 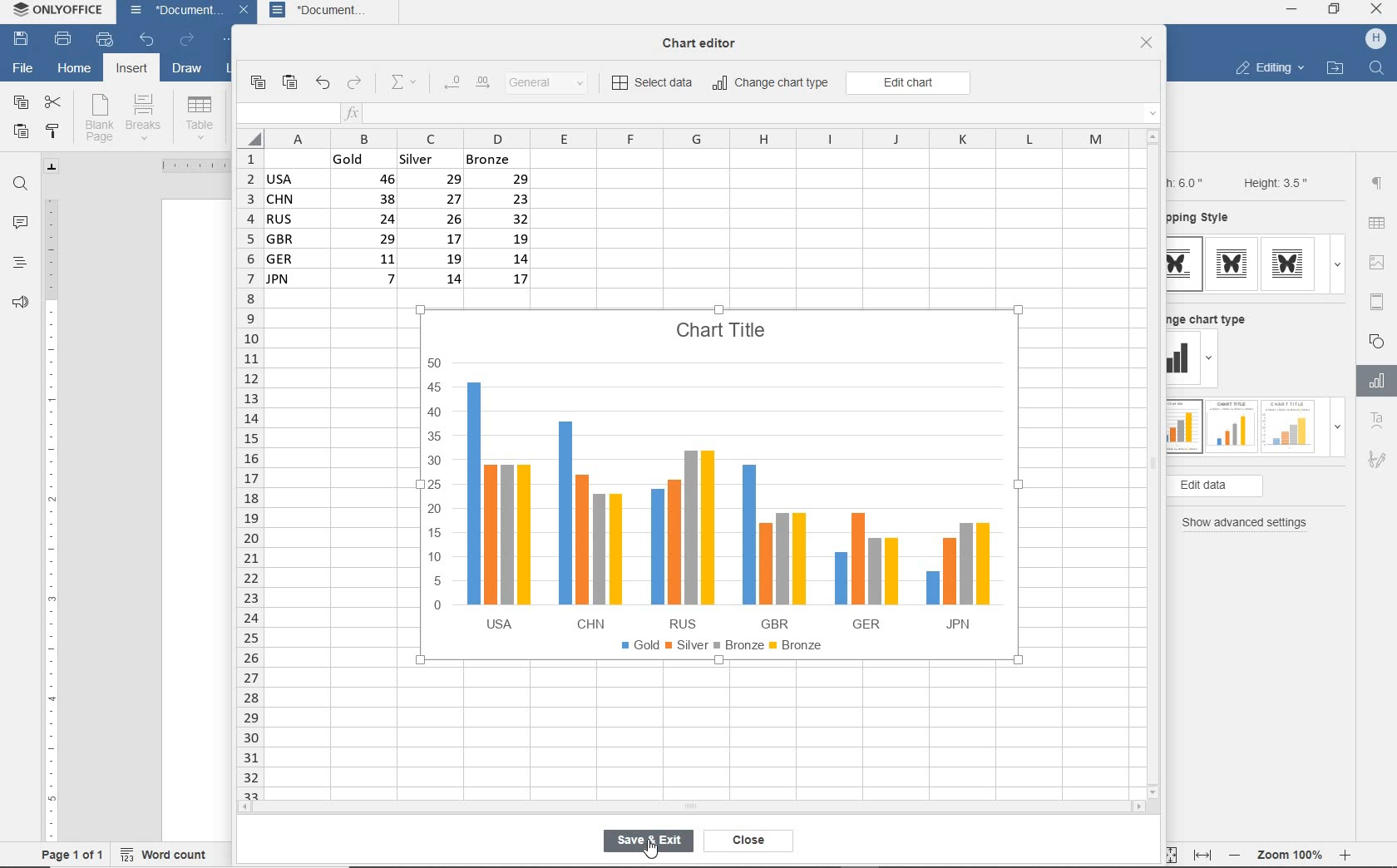 What do you see at coordinates (908, 83) in the screenshot?
I see `edit chart` at bounding box center [908, 83].